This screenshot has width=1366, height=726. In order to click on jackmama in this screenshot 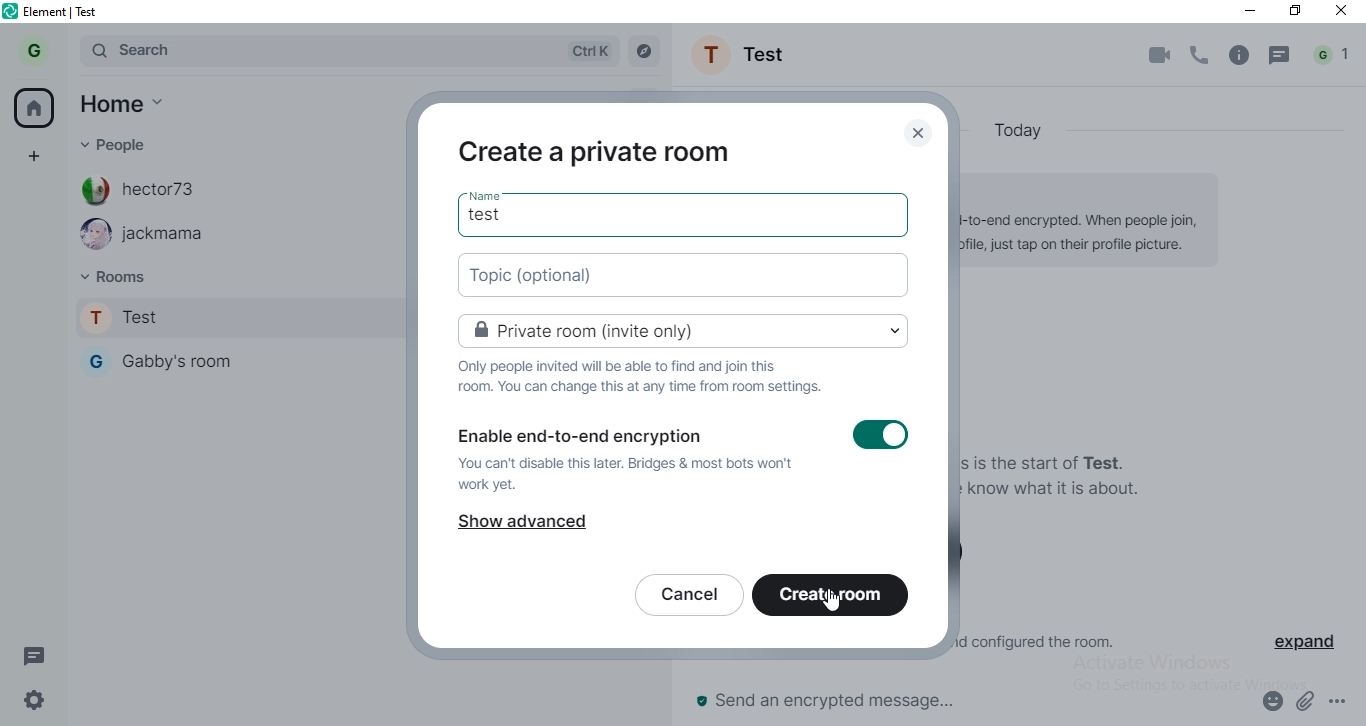, I will do `click(149, 235)`.